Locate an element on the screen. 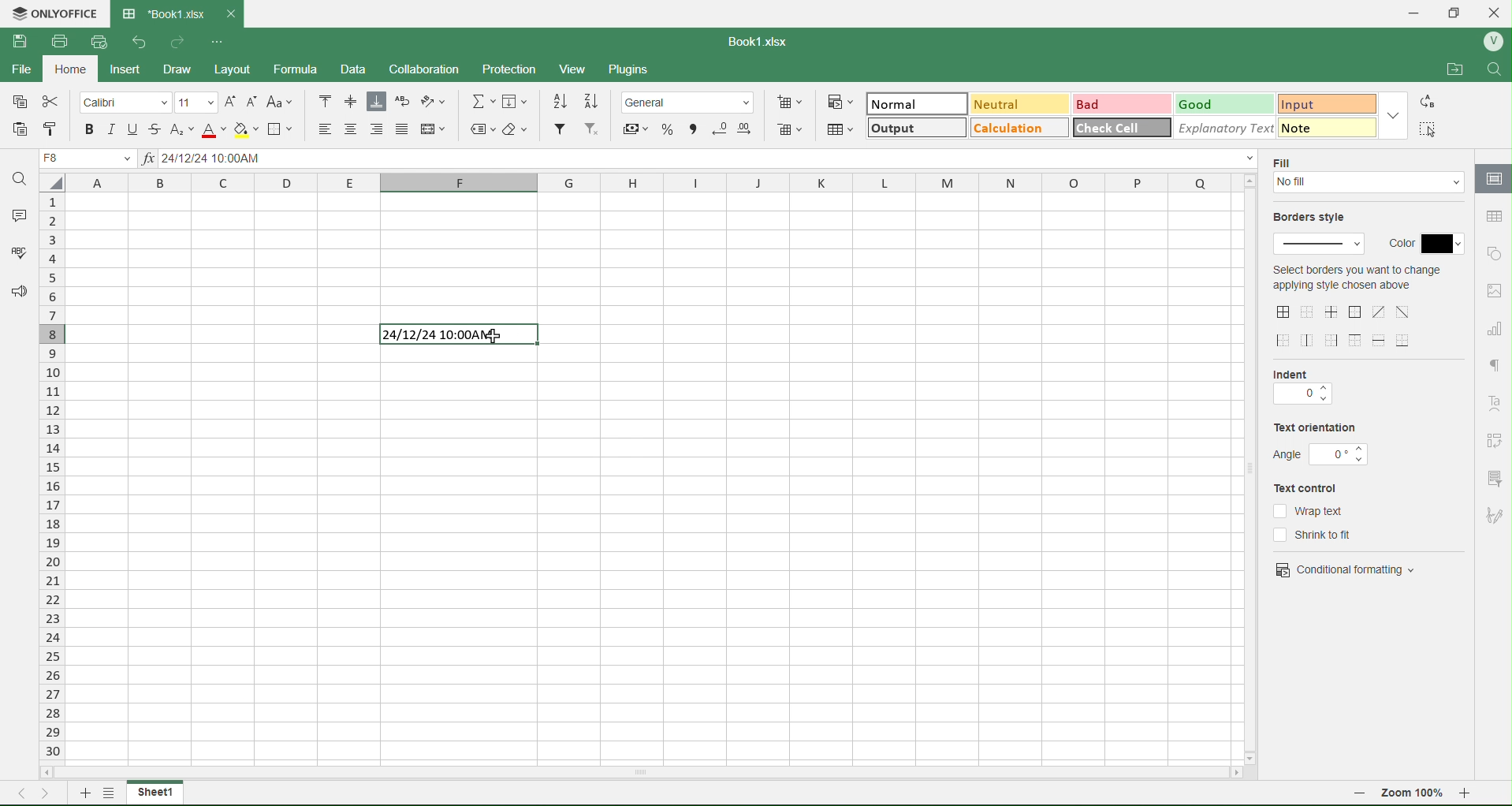  Accounting Style is located at coordinates (635, 128).